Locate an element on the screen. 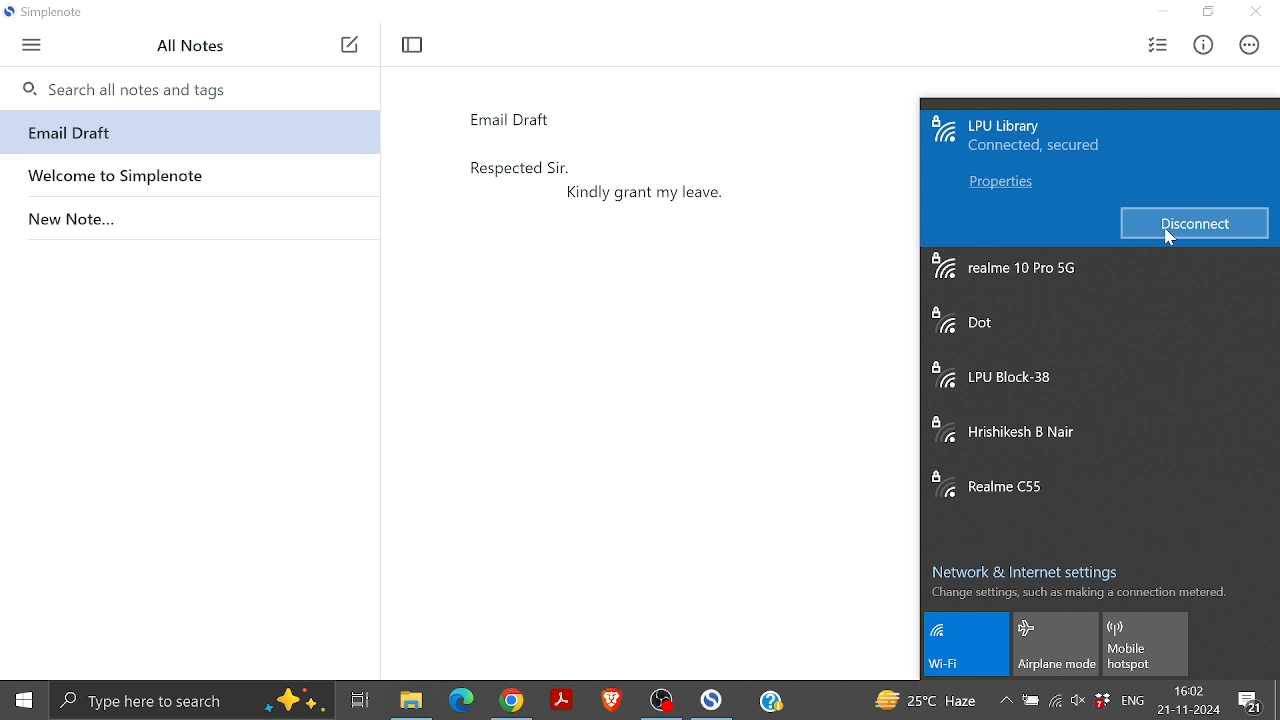 The height and width of the screenshot is (720, 1280). Weather is located at coordinates (926, 700).